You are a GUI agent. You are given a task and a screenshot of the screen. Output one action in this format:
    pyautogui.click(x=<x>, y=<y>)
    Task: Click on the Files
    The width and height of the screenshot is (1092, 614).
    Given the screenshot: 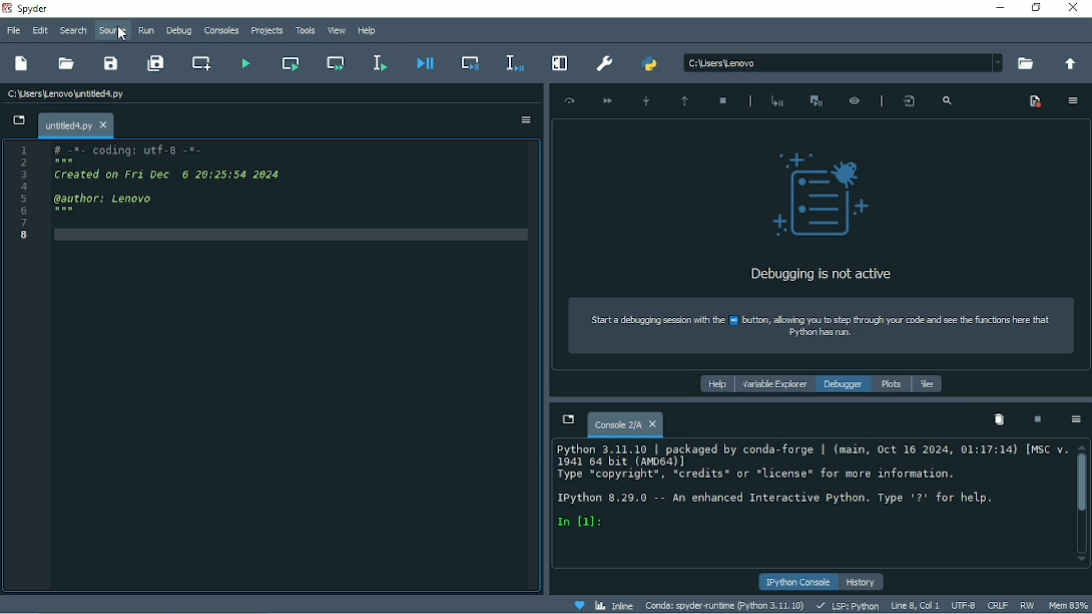 What is the action you would take?
    pyautogui.click(x=929, y=384)
    